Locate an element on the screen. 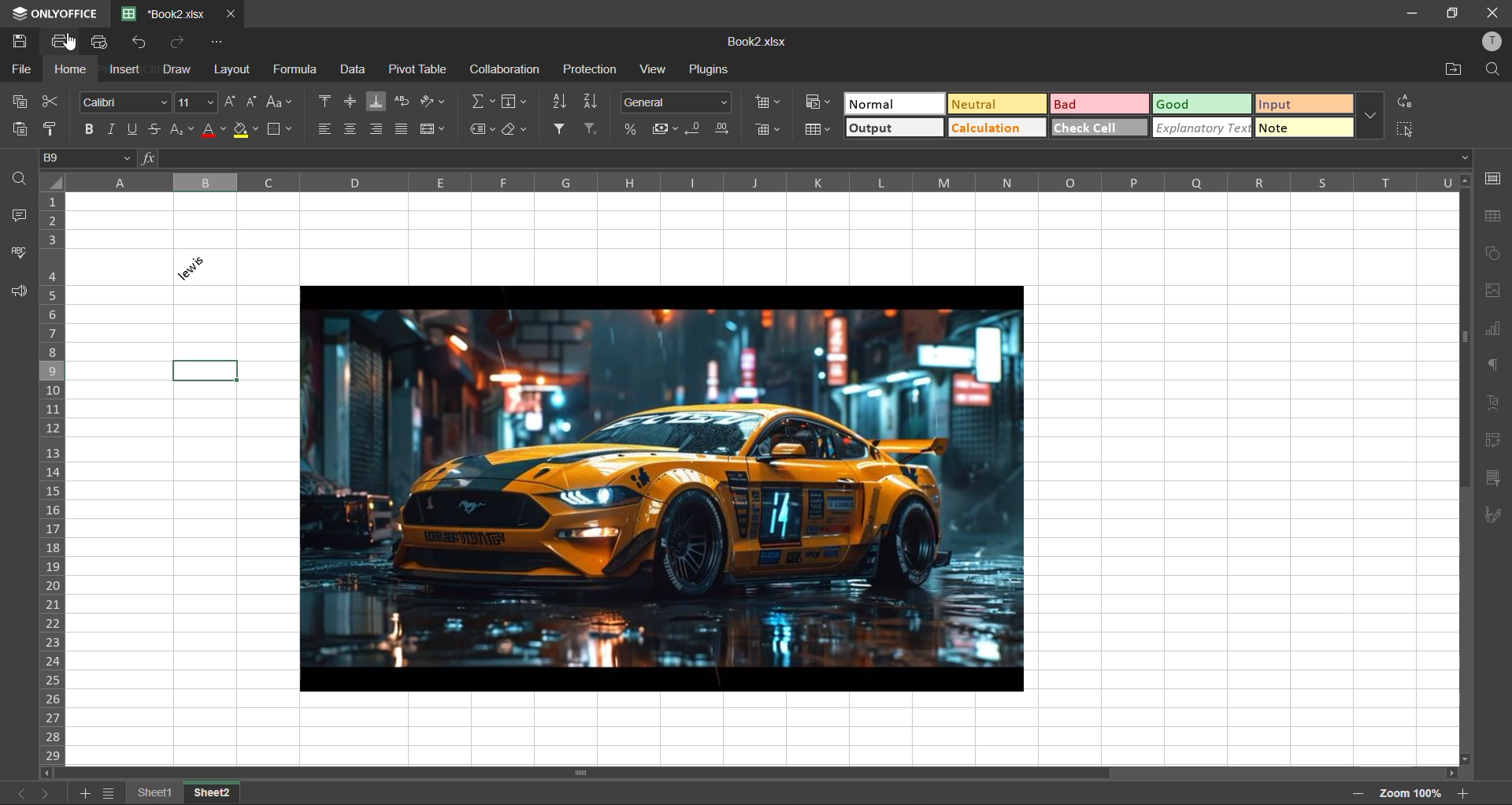 The height and width of the screenshot is (805, 1512). wrap text is located at coordinates (402, 101).